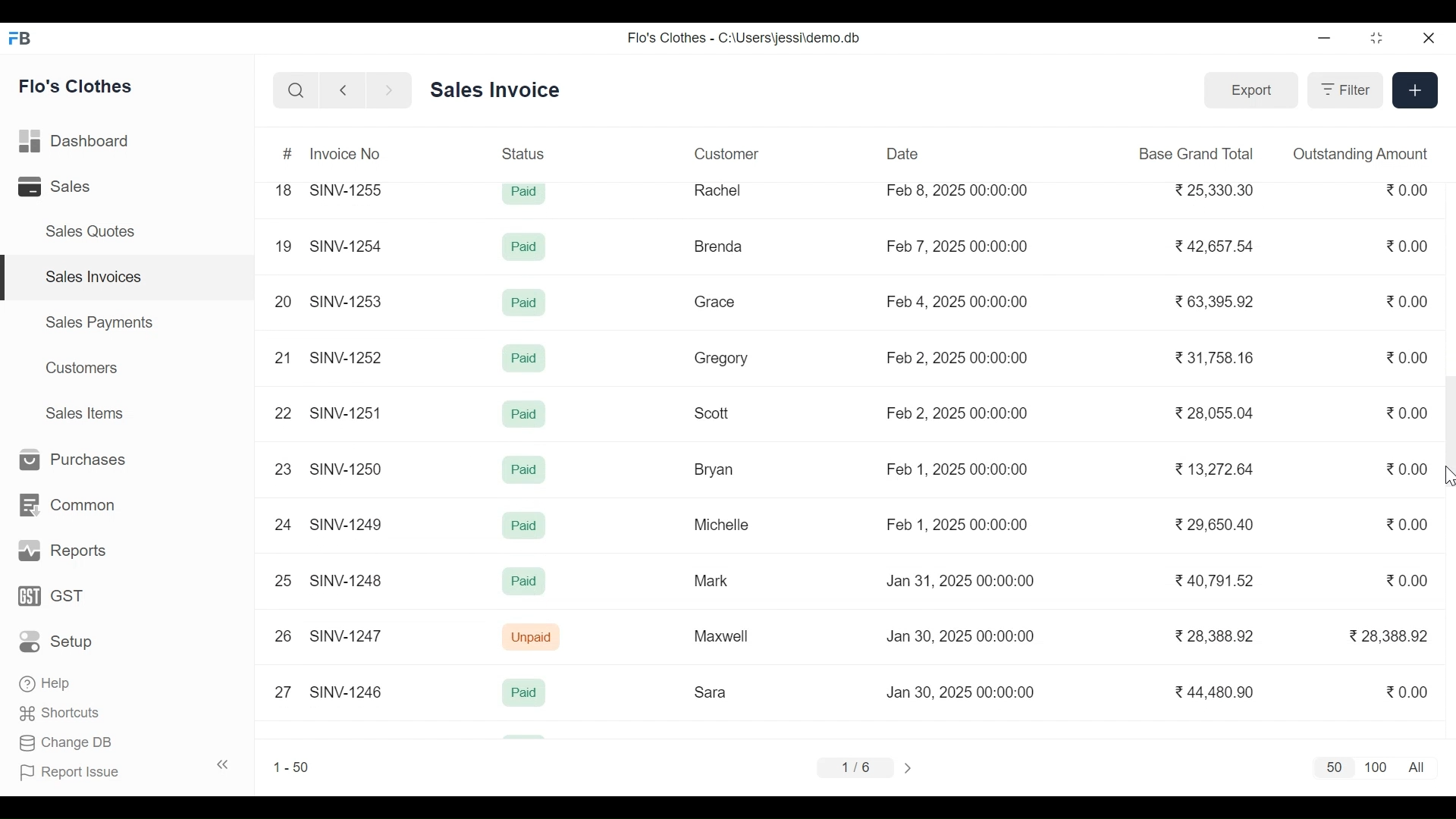 This screenshot has height=819, width=1456. What do you see at coordinates (283, 299) in the screenshot?
I see `20` at bounding box center [283, 299].